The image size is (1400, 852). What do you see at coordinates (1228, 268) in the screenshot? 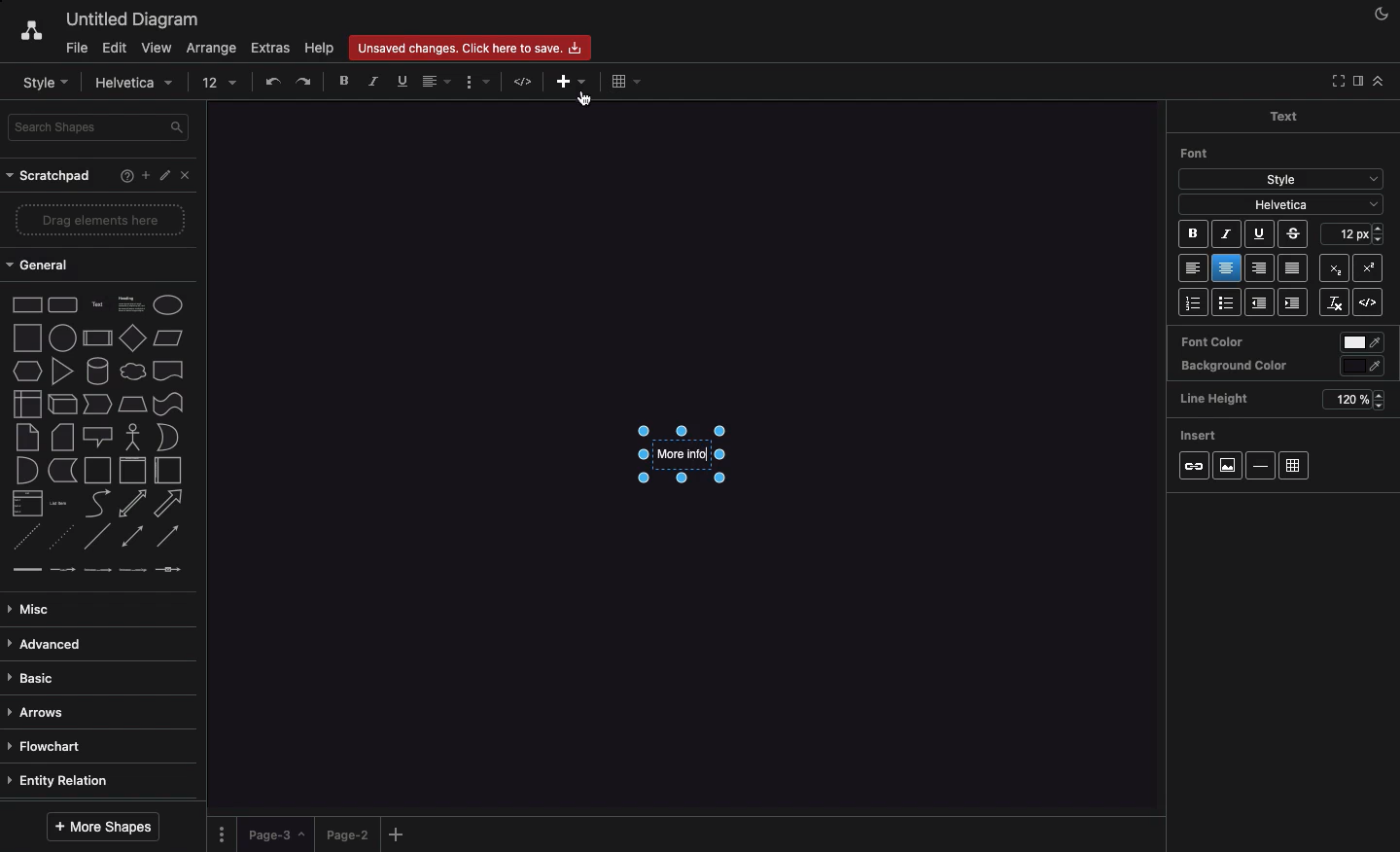
I see `Center aligned` at bounding box center [1228, 268].